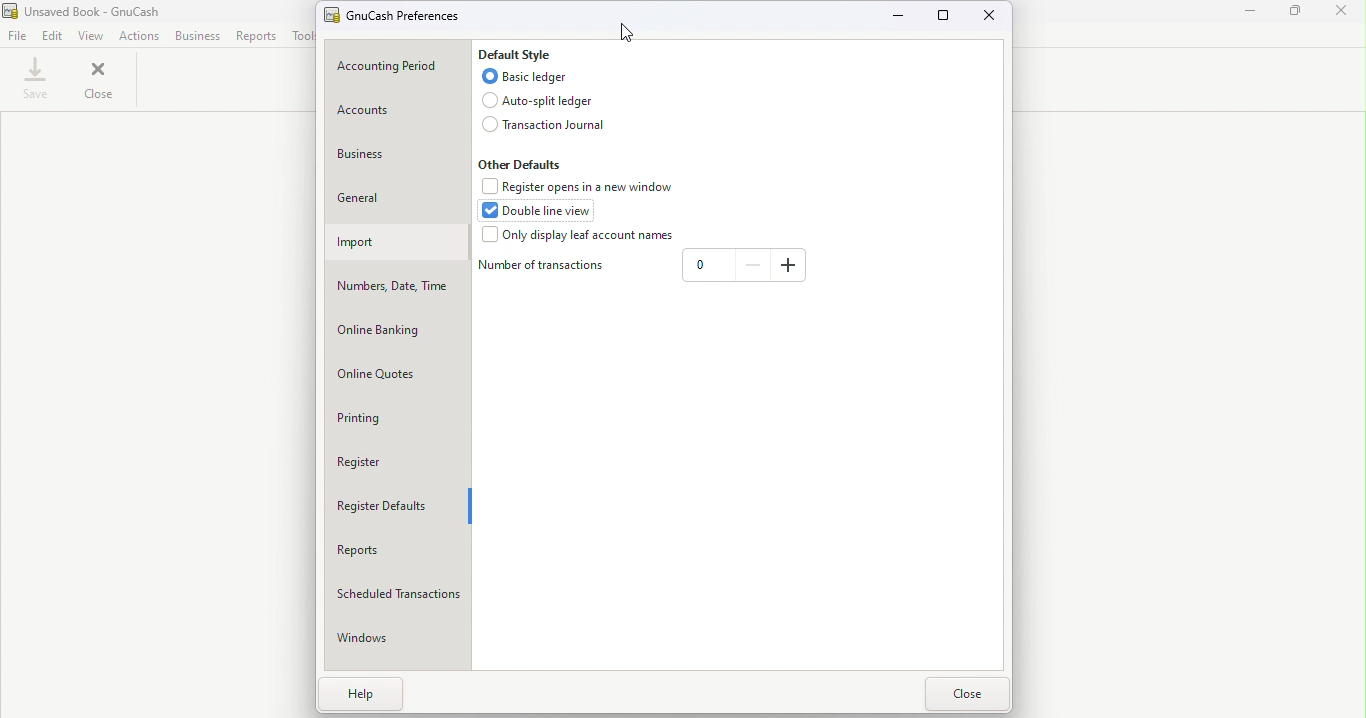 This screenshot has width=1366, height=718. I want to click on Close, so click(94, 82).